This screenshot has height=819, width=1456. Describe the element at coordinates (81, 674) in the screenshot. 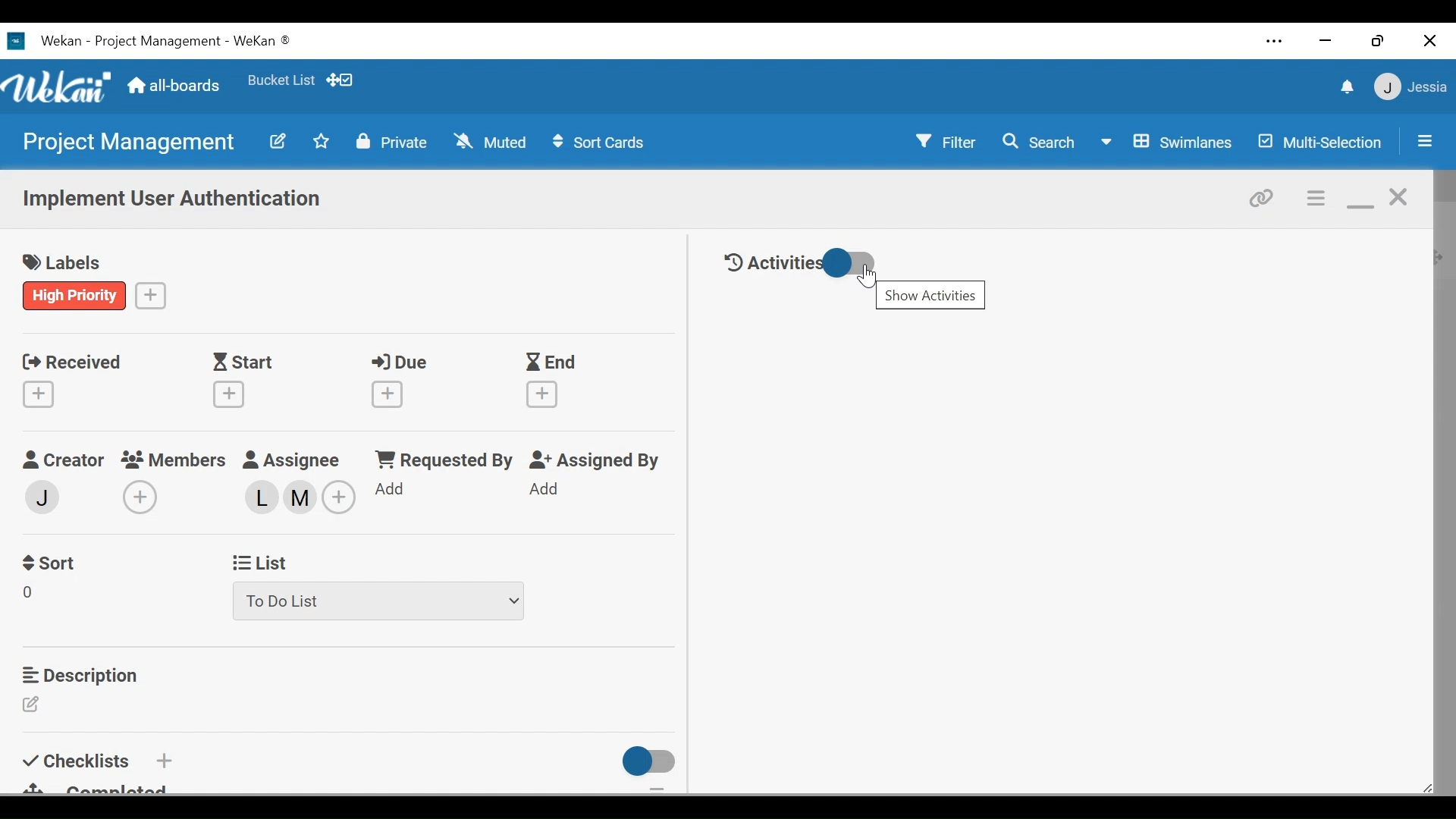

I see `Description` at that location.